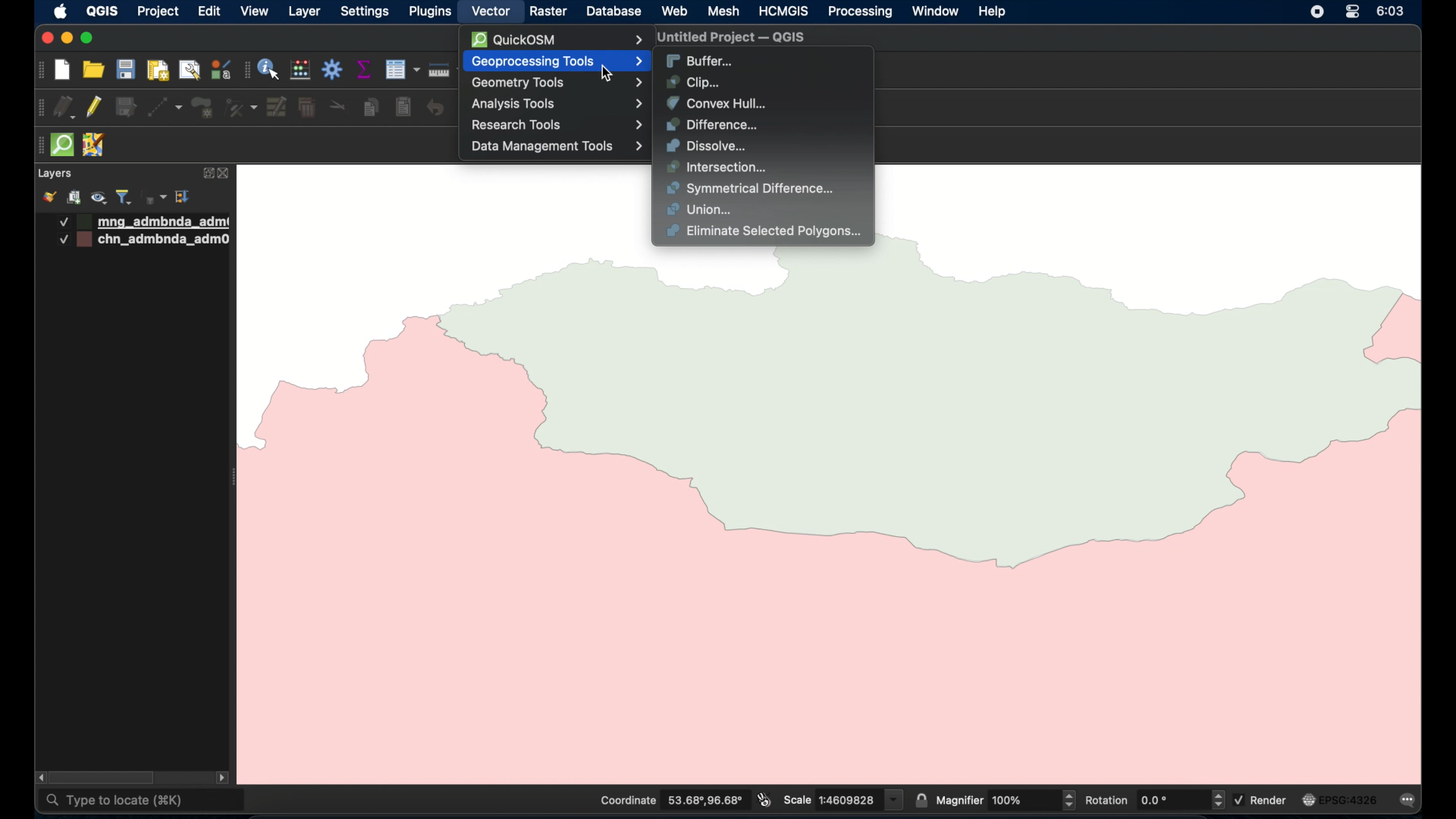 This screenshot has height=819, width=1456. I want to click on research tools menu, so click(557, 125).